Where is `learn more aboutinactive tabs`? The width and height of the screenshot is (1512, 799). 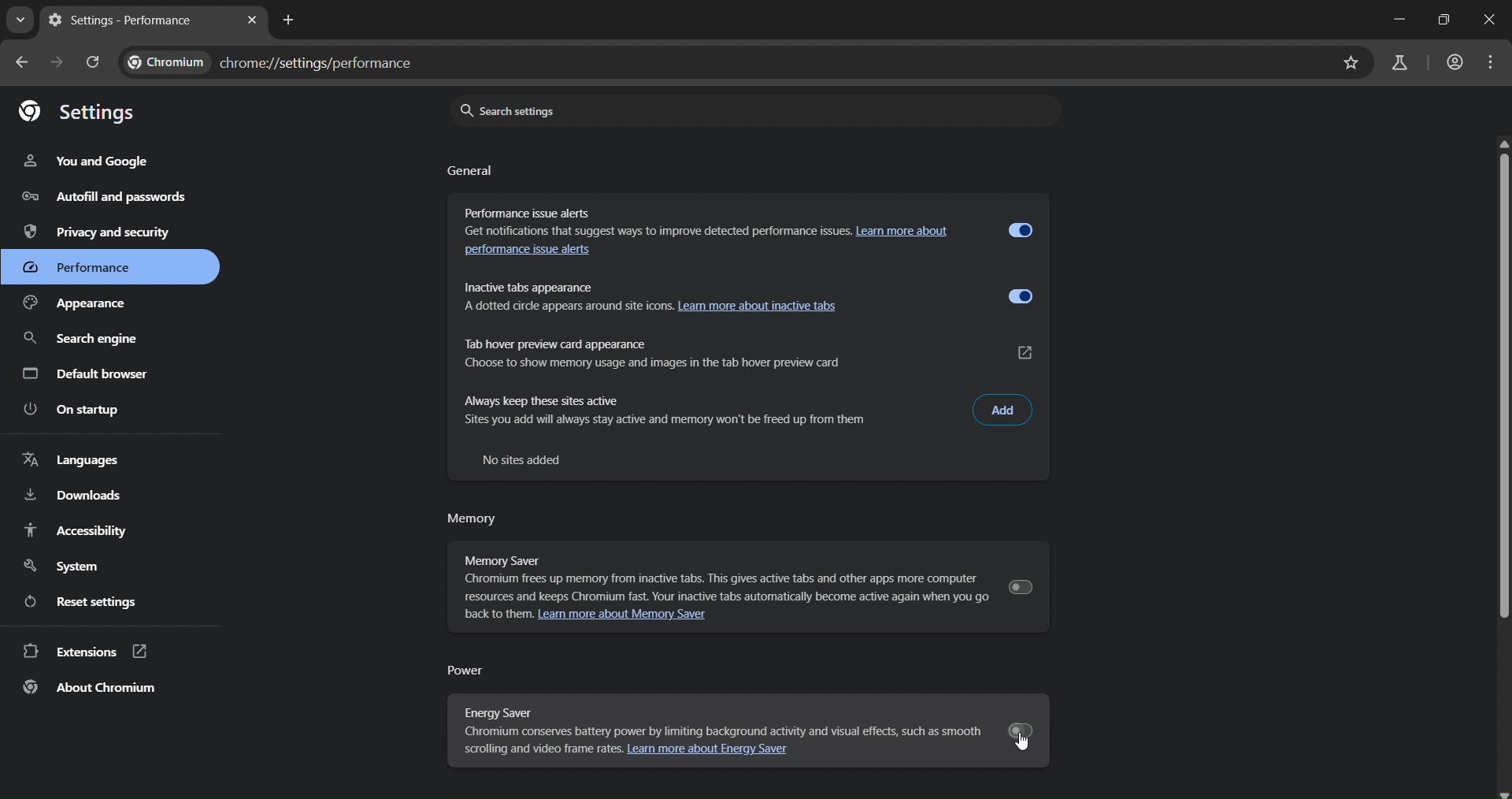 learn more aboutinactive tabs is located at coordinates (763, 307).